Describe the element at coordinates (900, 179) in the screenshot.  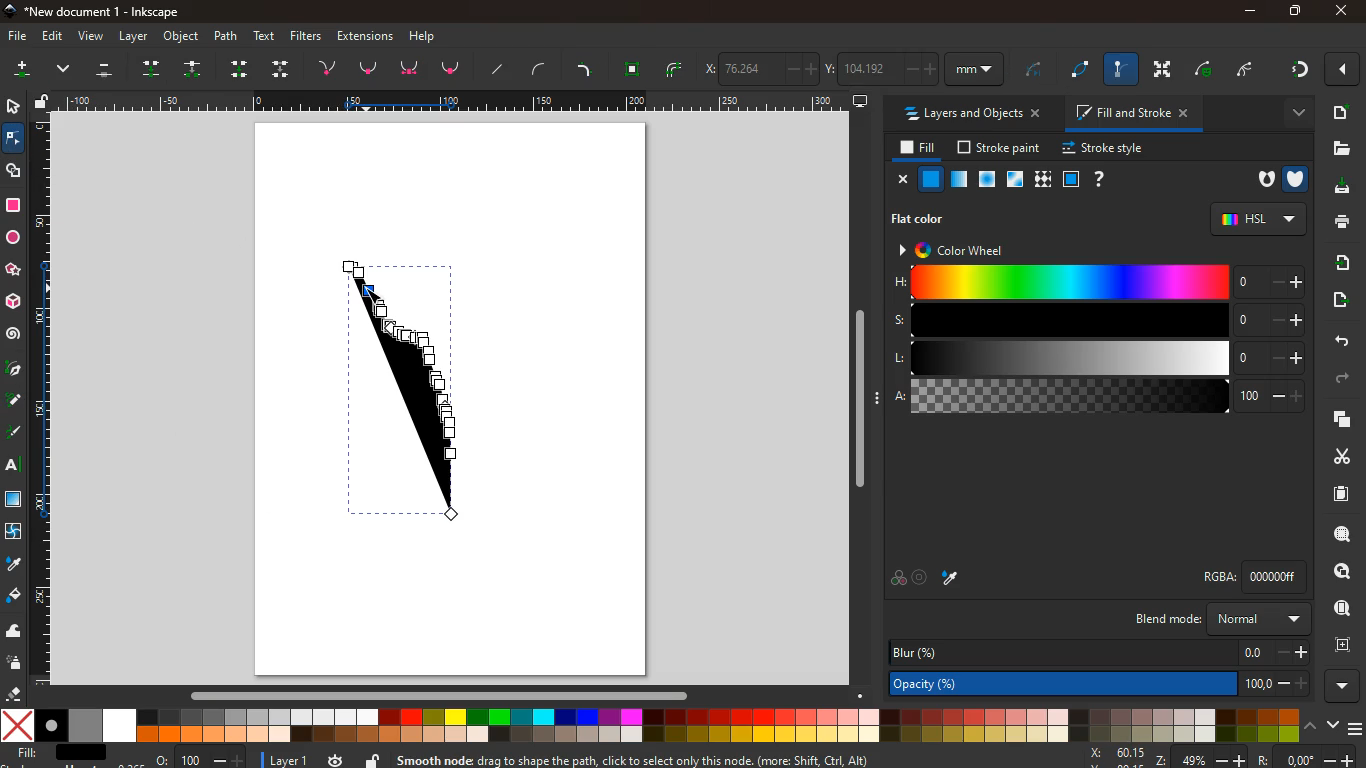
I see `close` at that location.